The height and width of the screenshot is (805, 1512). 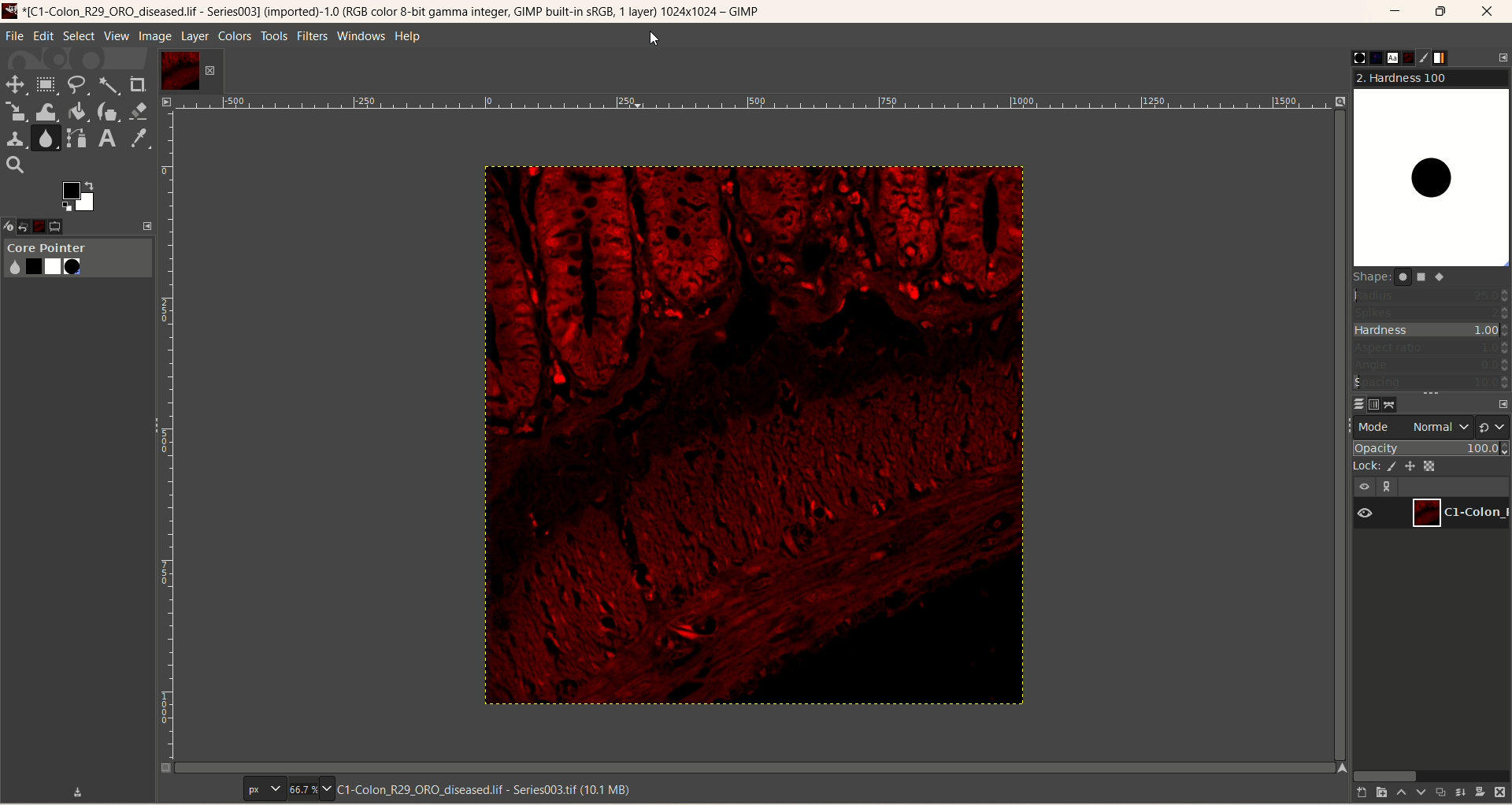 I want to click on help, so click(x=409, y=38).